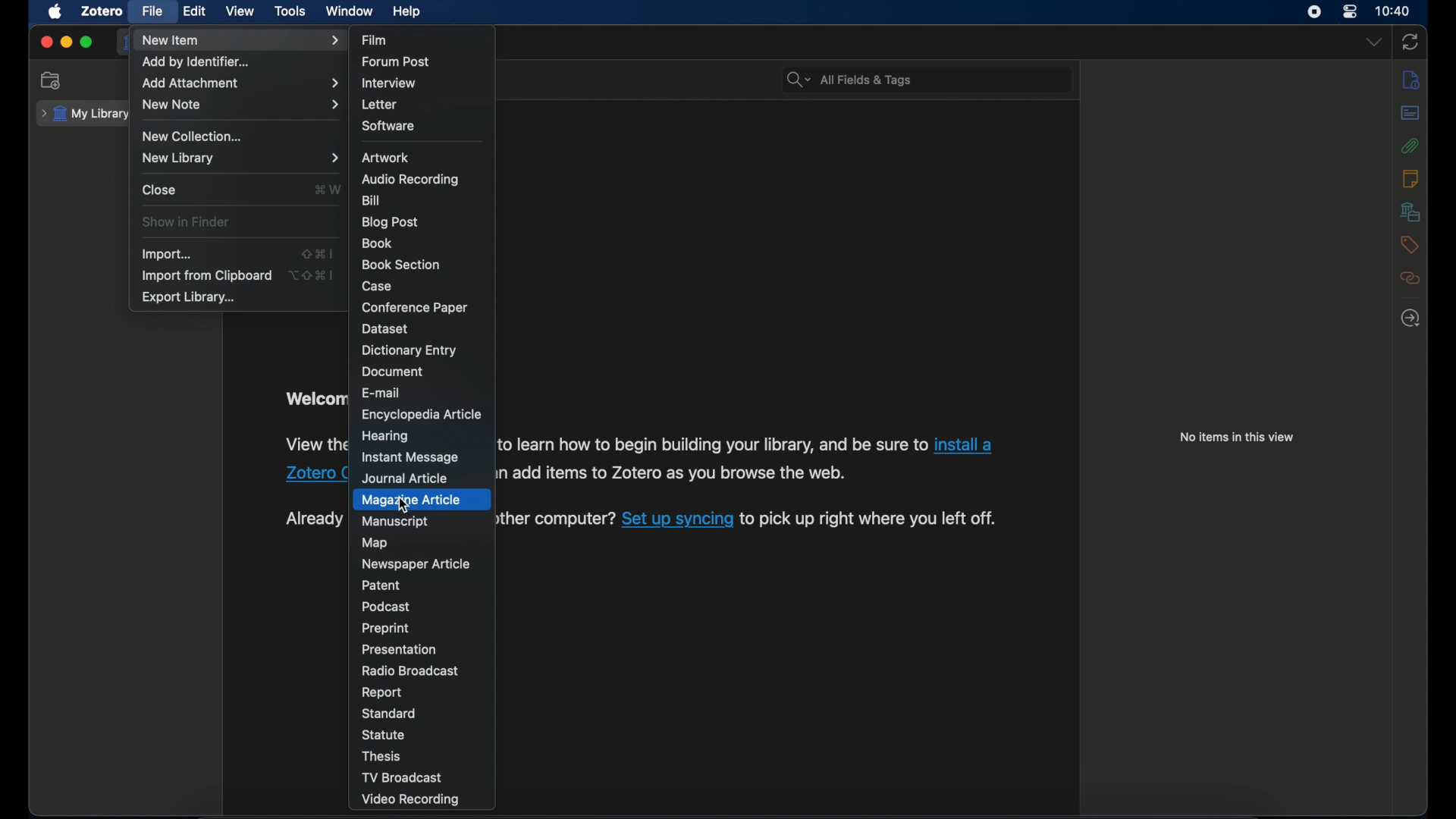  Describe the element at coordinates (308, 519) in the screenshot. I see `Already` at that location.